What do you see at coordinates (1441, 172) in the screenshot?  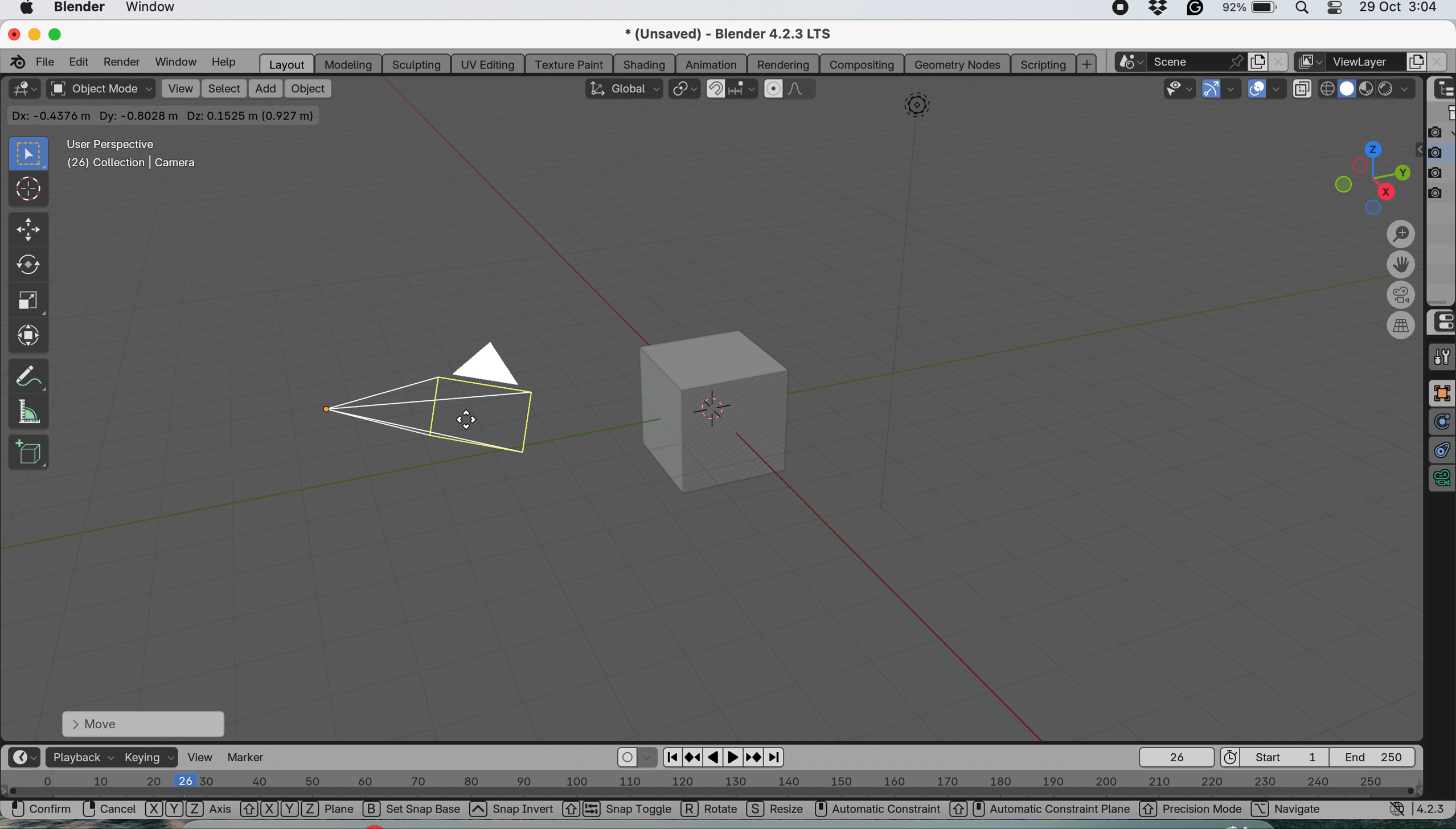 I see `disable in renders` at bounding box center [1441, 172].